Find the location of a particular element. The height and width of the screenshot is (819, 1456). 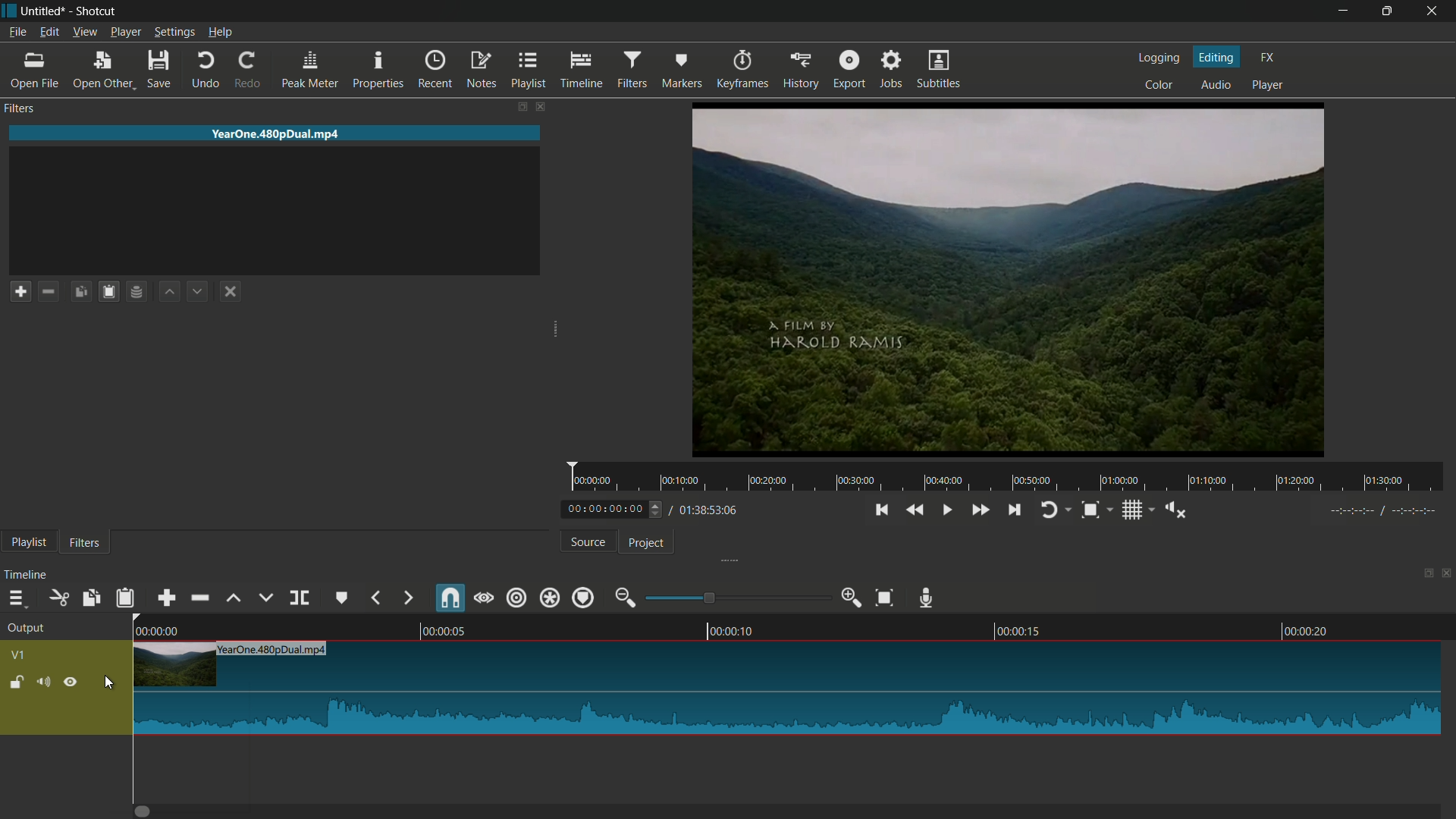

add a filter is located at coordinates (20, 291).